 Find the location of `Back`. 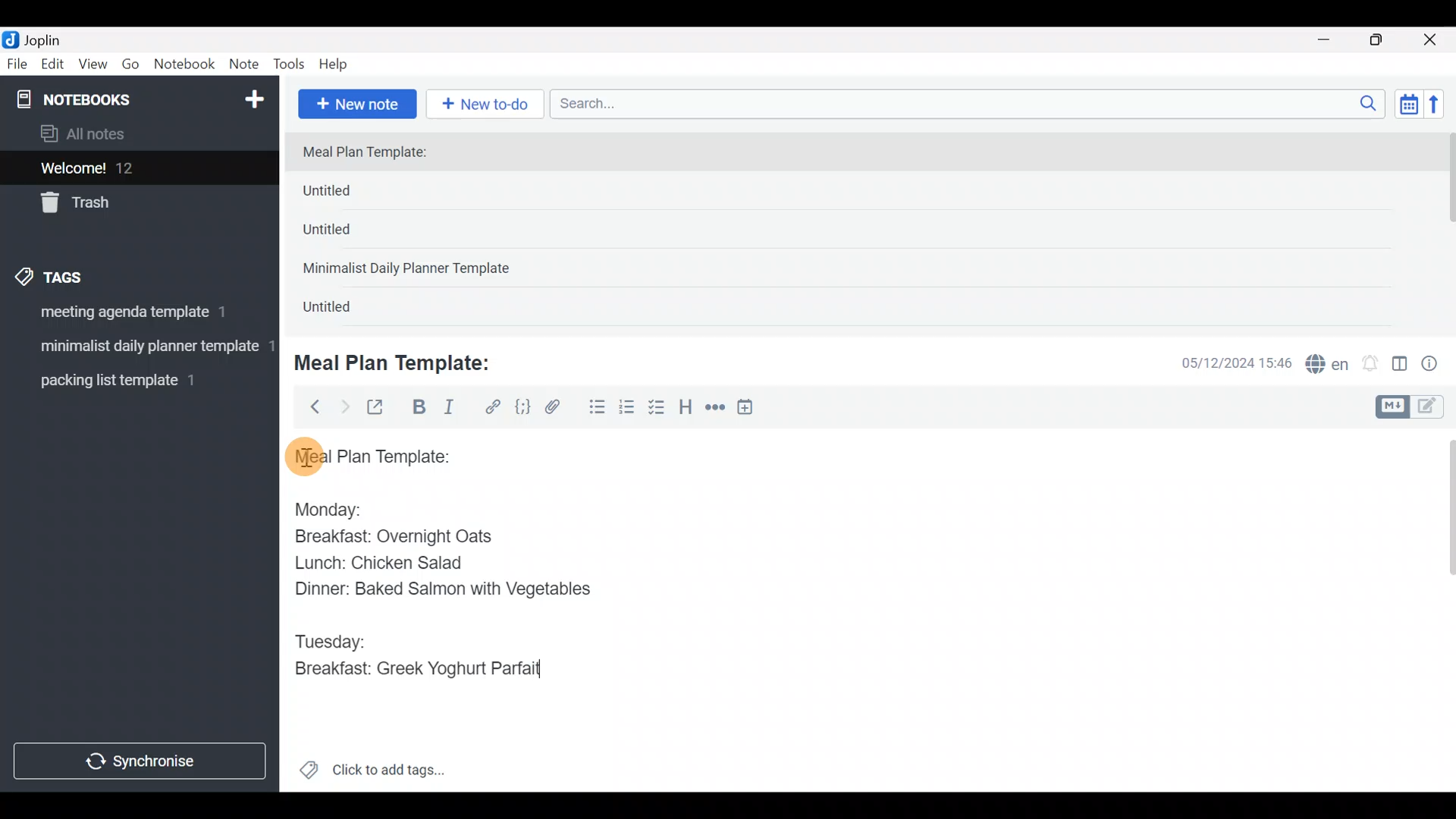

Back is located at coordinates (309, 406).